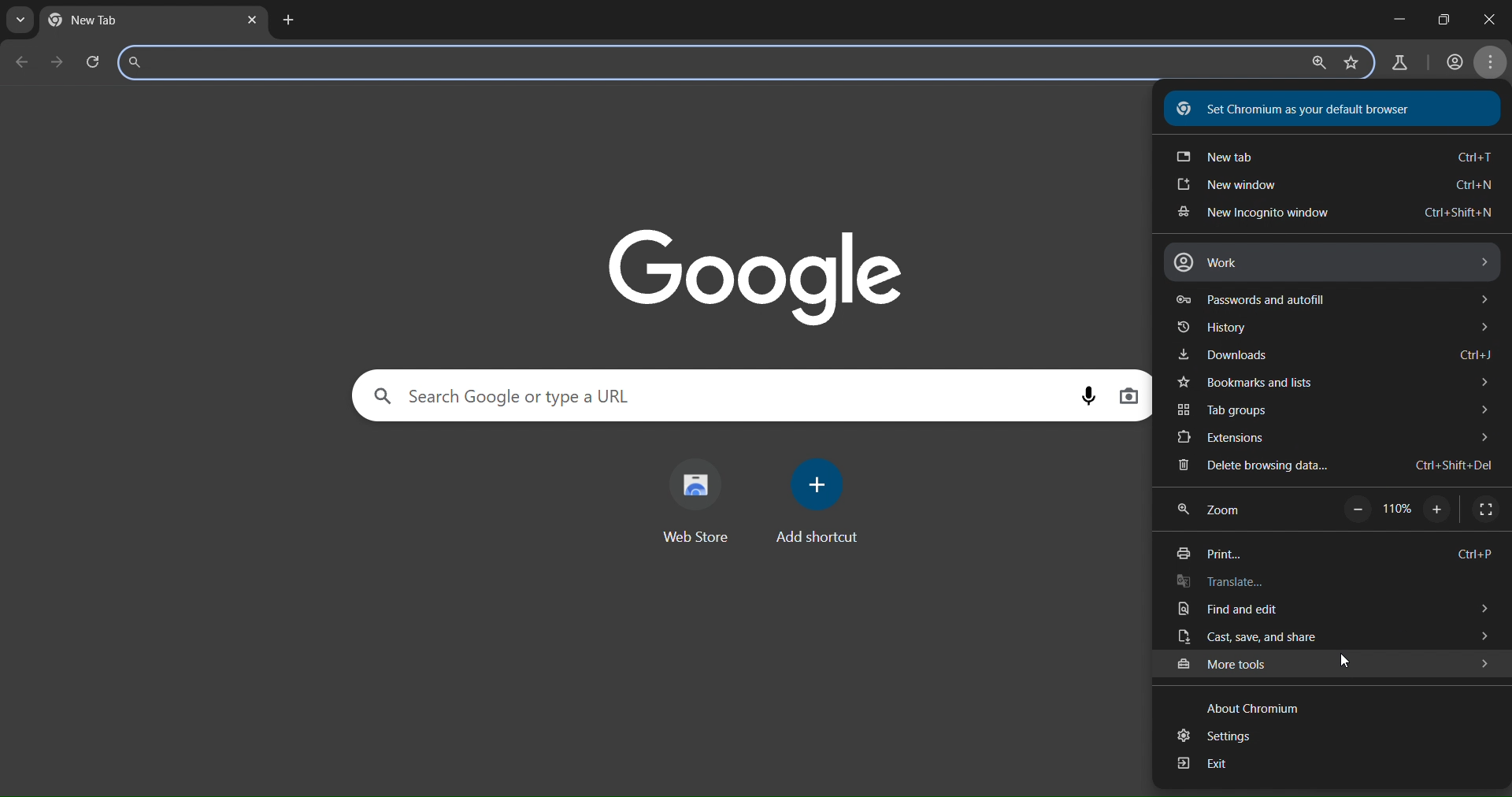 This screenshot has height=797, width=1512. What do you see at coordinates (1332, 384) in the screenshot?
I see `bookmarks and lists` at bounding box center [1332, 384].